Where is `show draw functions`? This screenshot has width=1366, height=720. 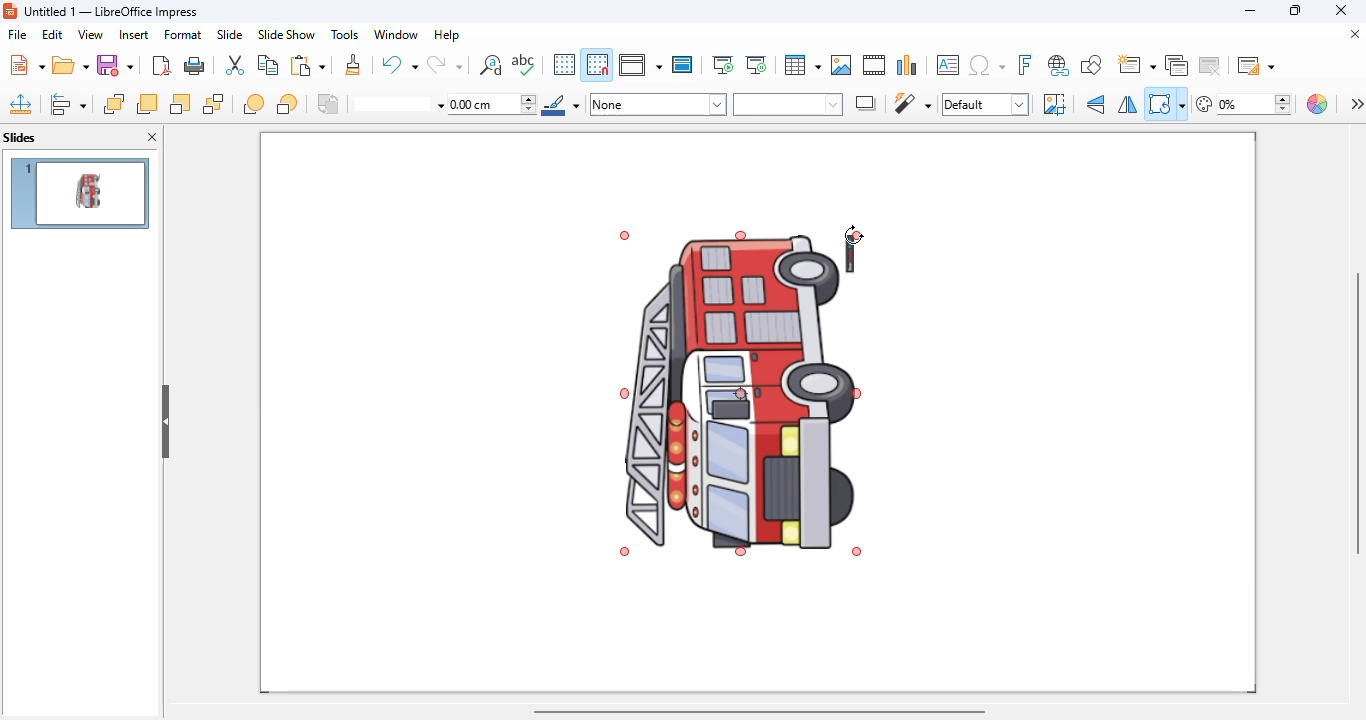
show draw functions is located at coordinates (1092, 65).